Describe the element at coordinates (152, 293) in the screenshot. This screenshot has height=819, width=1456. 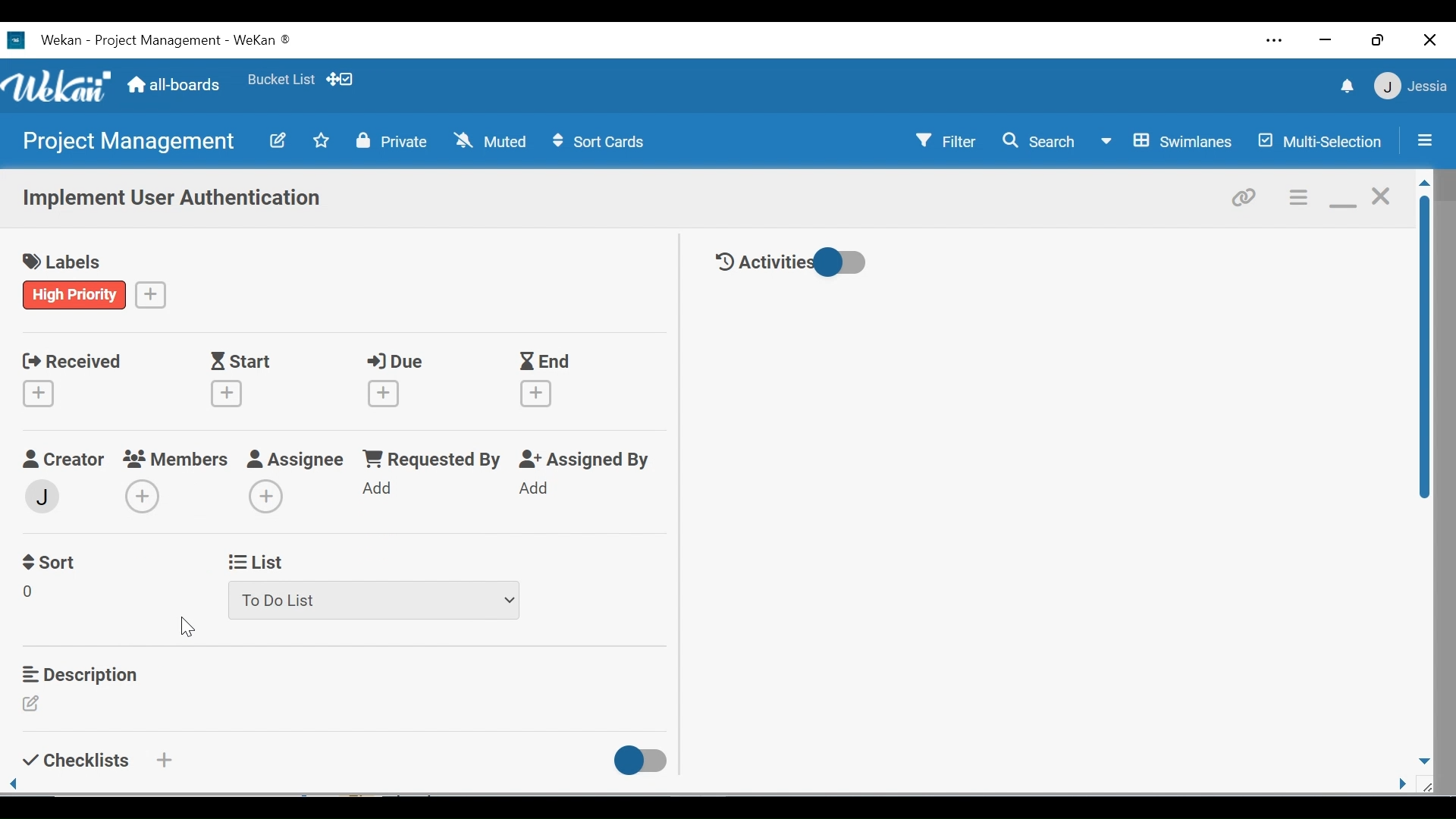
I see `add` at that location.